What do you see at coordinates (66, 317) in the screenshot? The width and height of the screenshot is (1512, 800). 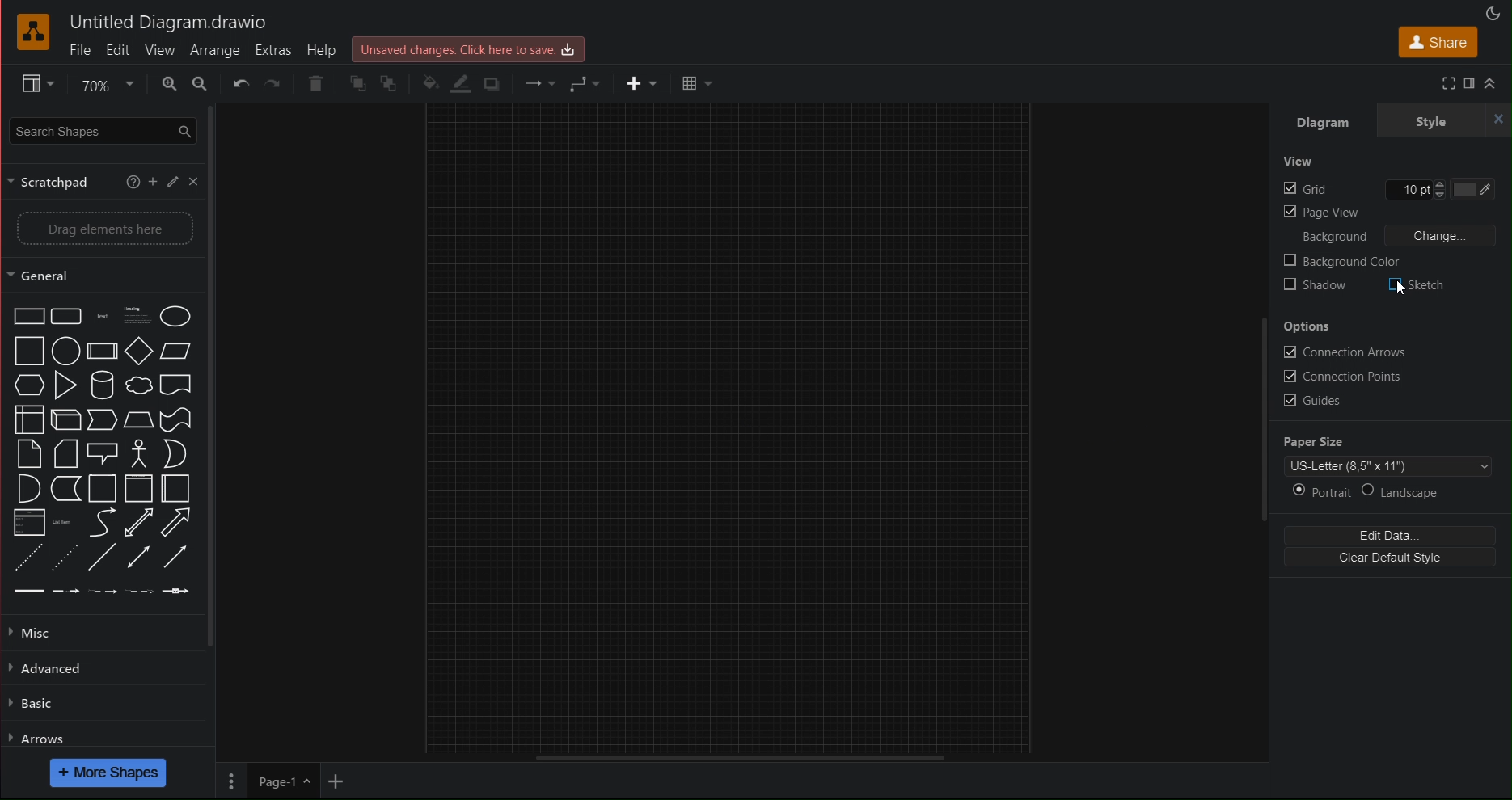 I see `rounded rectangle` at bounding box center [66, 317].